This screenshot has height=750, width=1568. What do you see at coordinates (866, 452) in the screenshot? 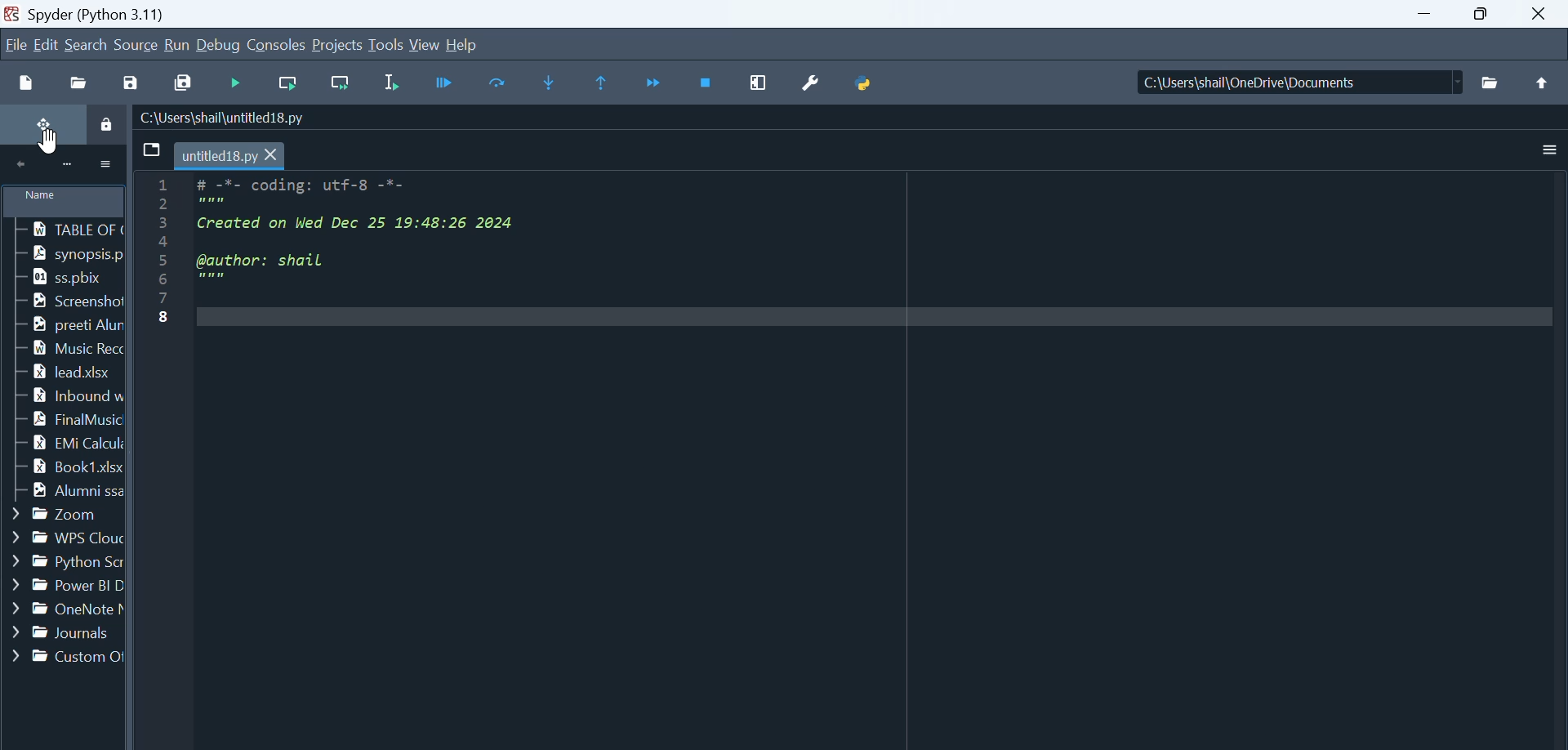
I see `# -*- coding: utf-8 -*-
Created on Wed Dec 25 19:48:26 2024
@author: shail` at bounding box center [866, 452].